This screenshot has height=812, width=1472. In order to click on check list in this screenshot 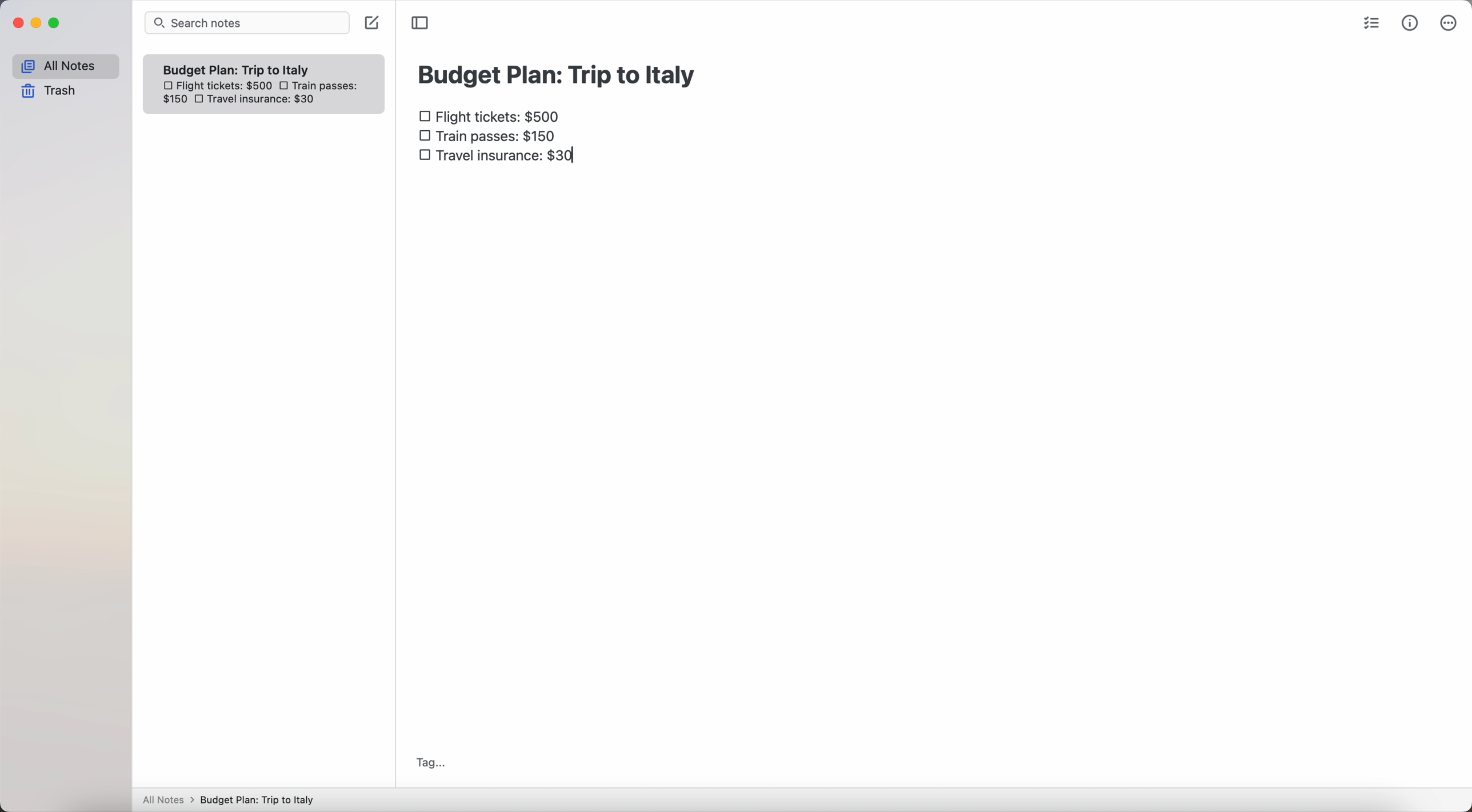, I will do `click(1375, 25)`.